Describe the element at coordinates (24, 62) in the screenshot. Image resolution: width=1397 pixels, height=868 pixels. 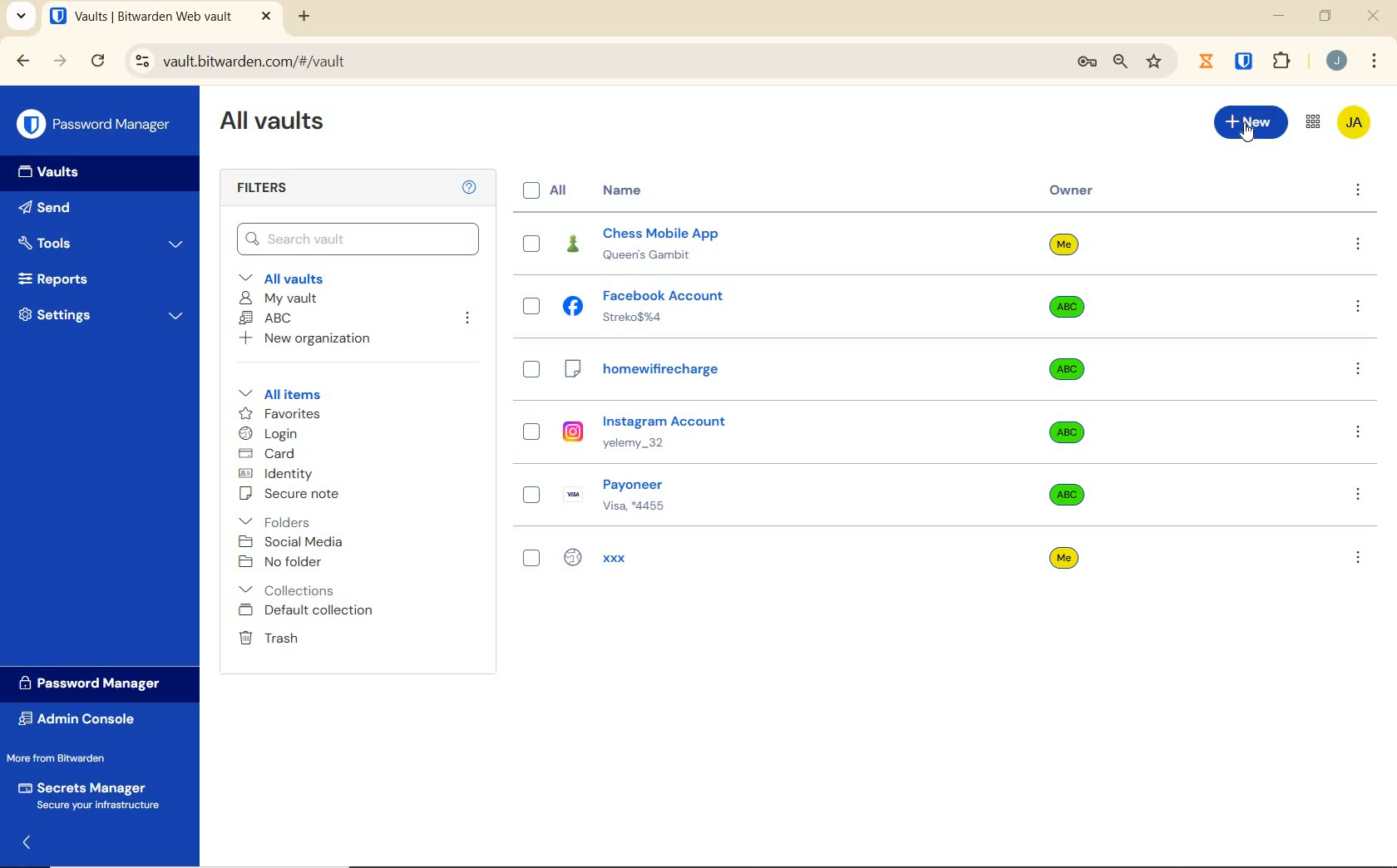
I see `backward` at that location.